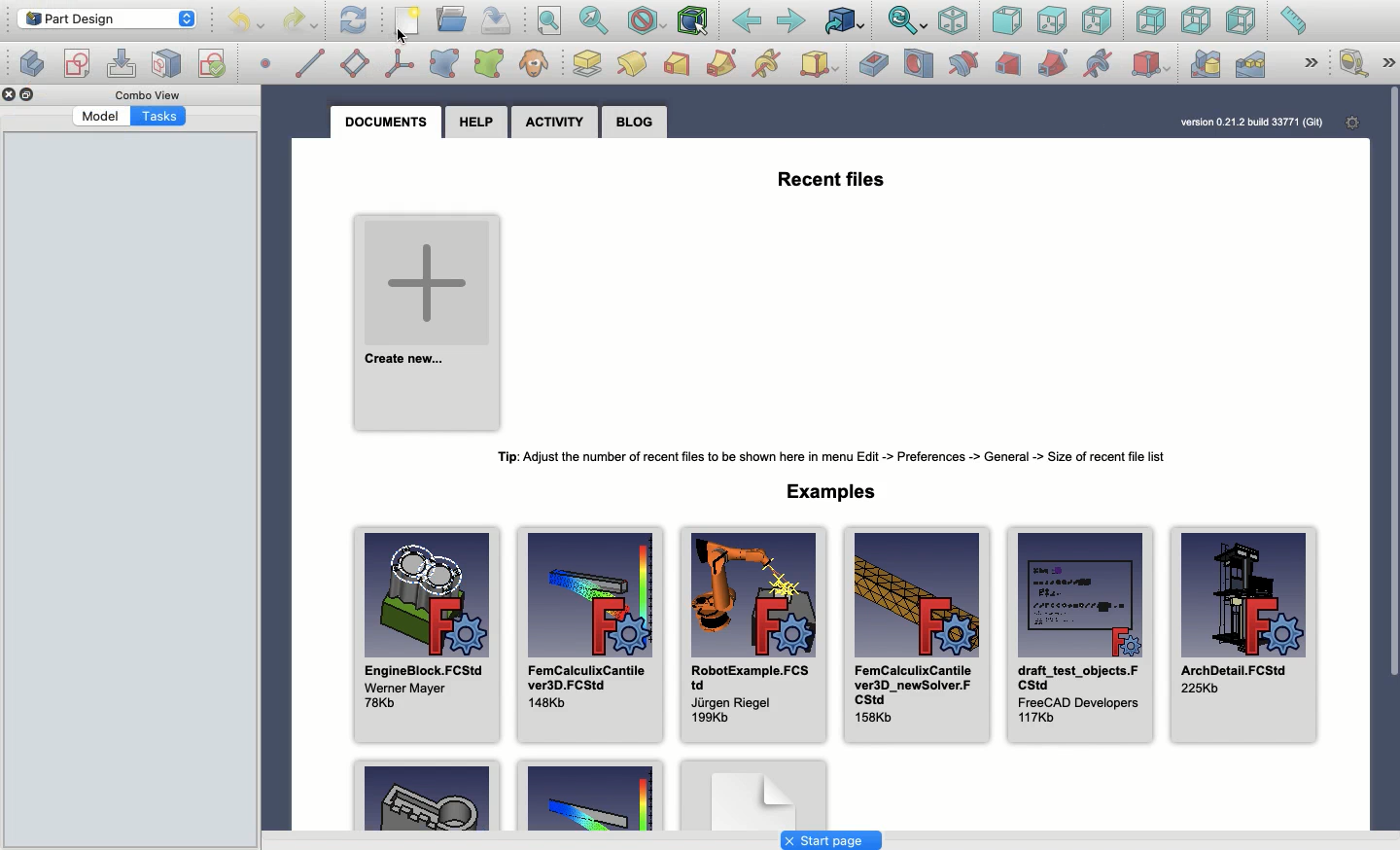  I want to click on Model, so click(100, 117).